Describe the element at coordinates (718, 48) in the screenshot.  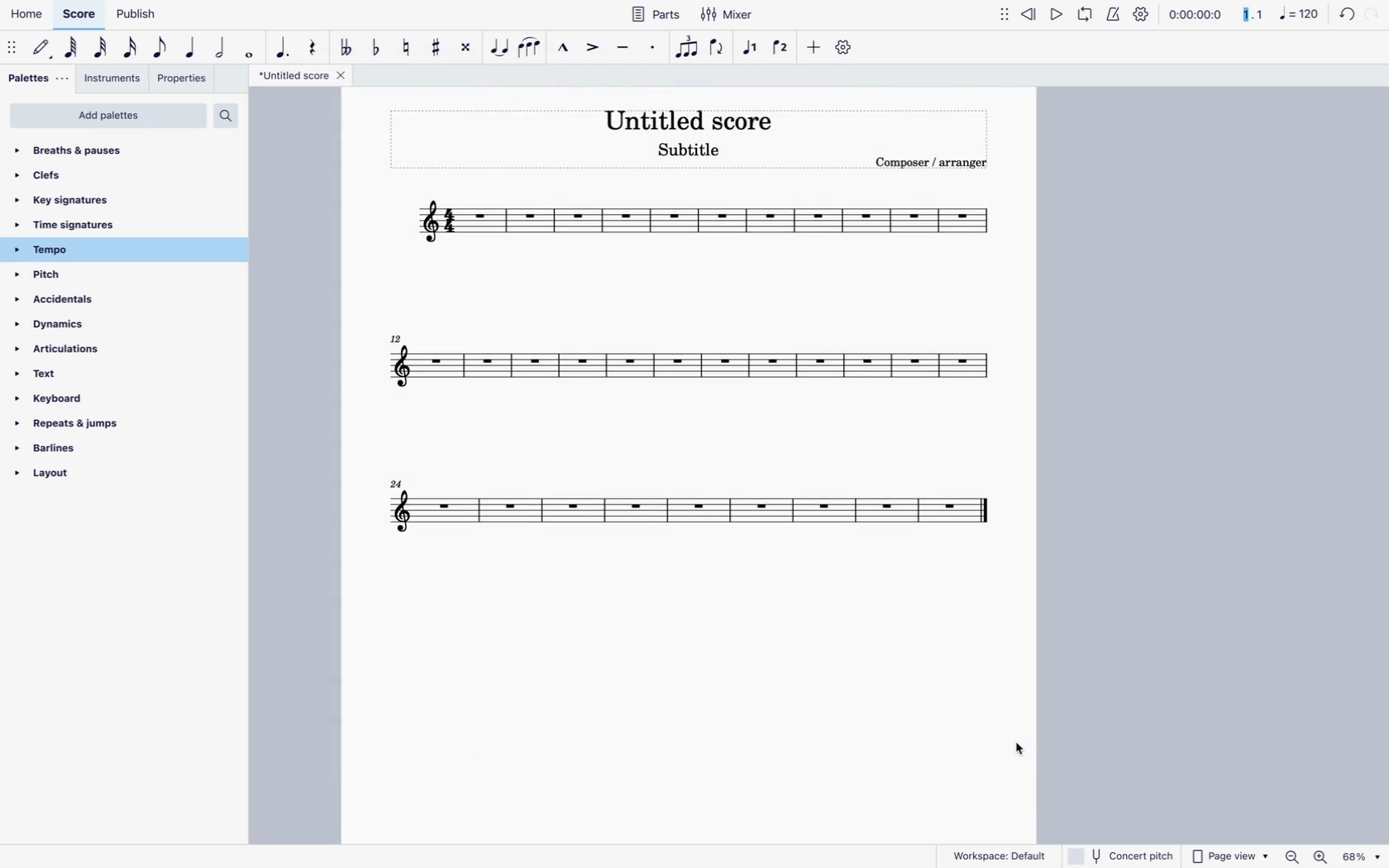
I see `flip direction` at that location.